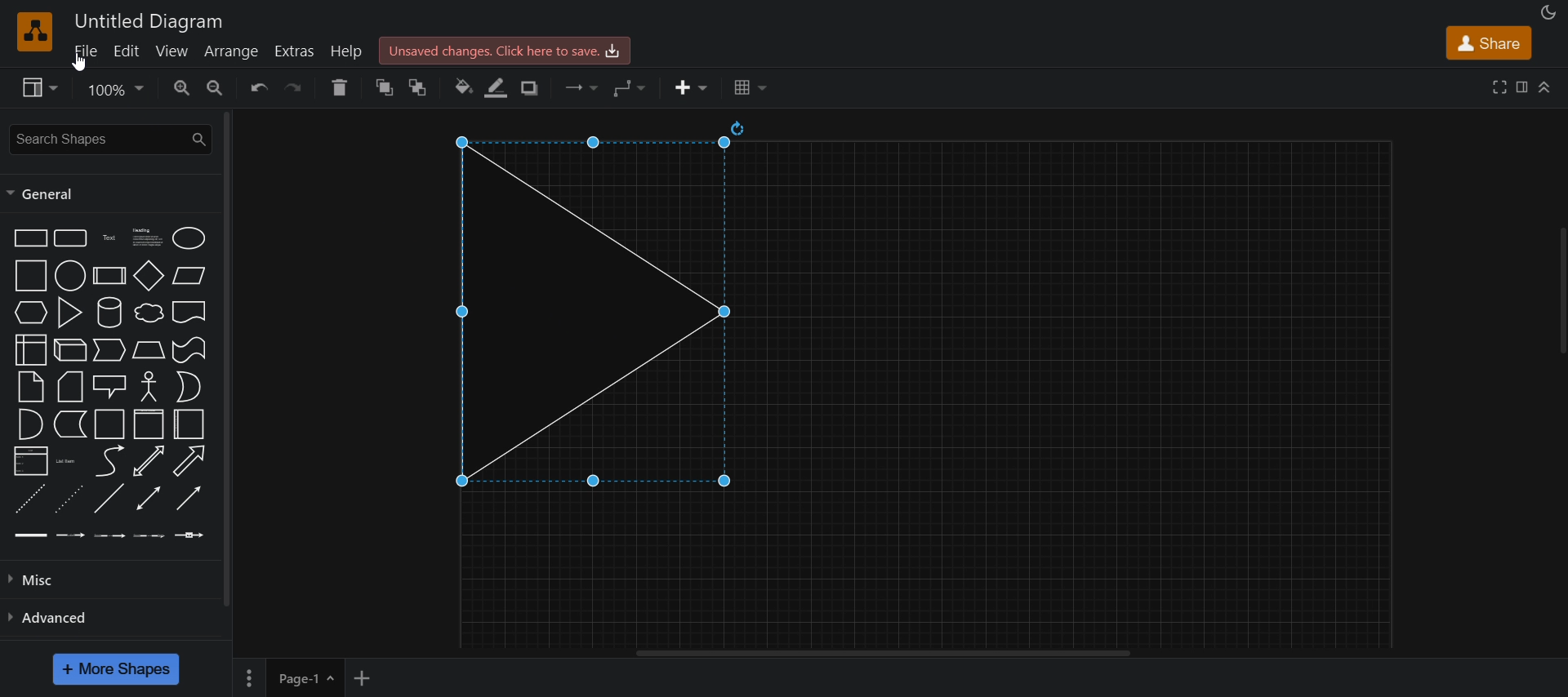 This screenshot has width=1568, height=697. Describe the element at coordinates (41, 89) in the screenshot. I see `view` at that location.